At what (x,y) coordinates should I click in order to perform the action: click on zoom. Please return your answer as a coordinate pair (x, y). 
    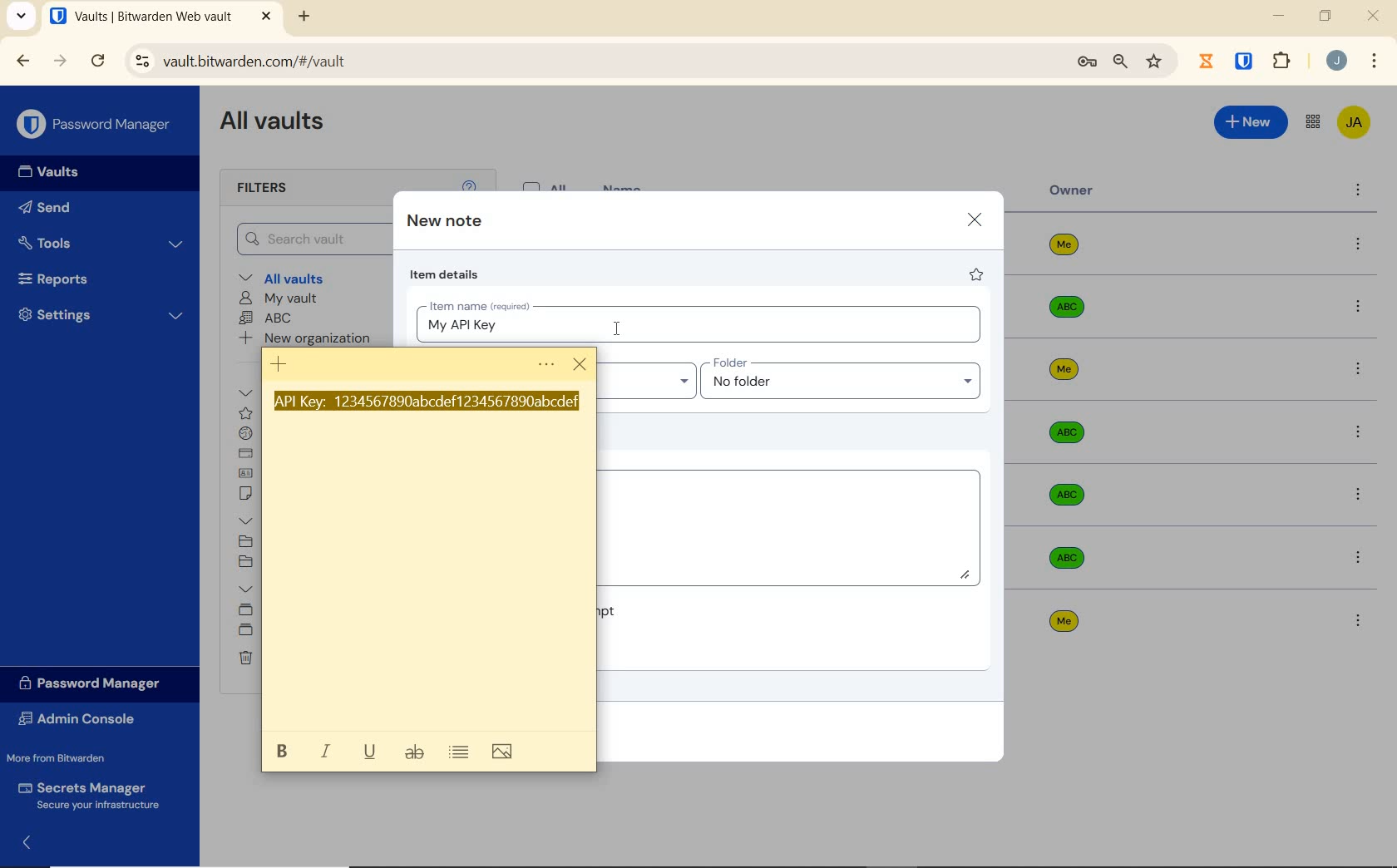
    Looking at the image, I should click on (1118, 62).